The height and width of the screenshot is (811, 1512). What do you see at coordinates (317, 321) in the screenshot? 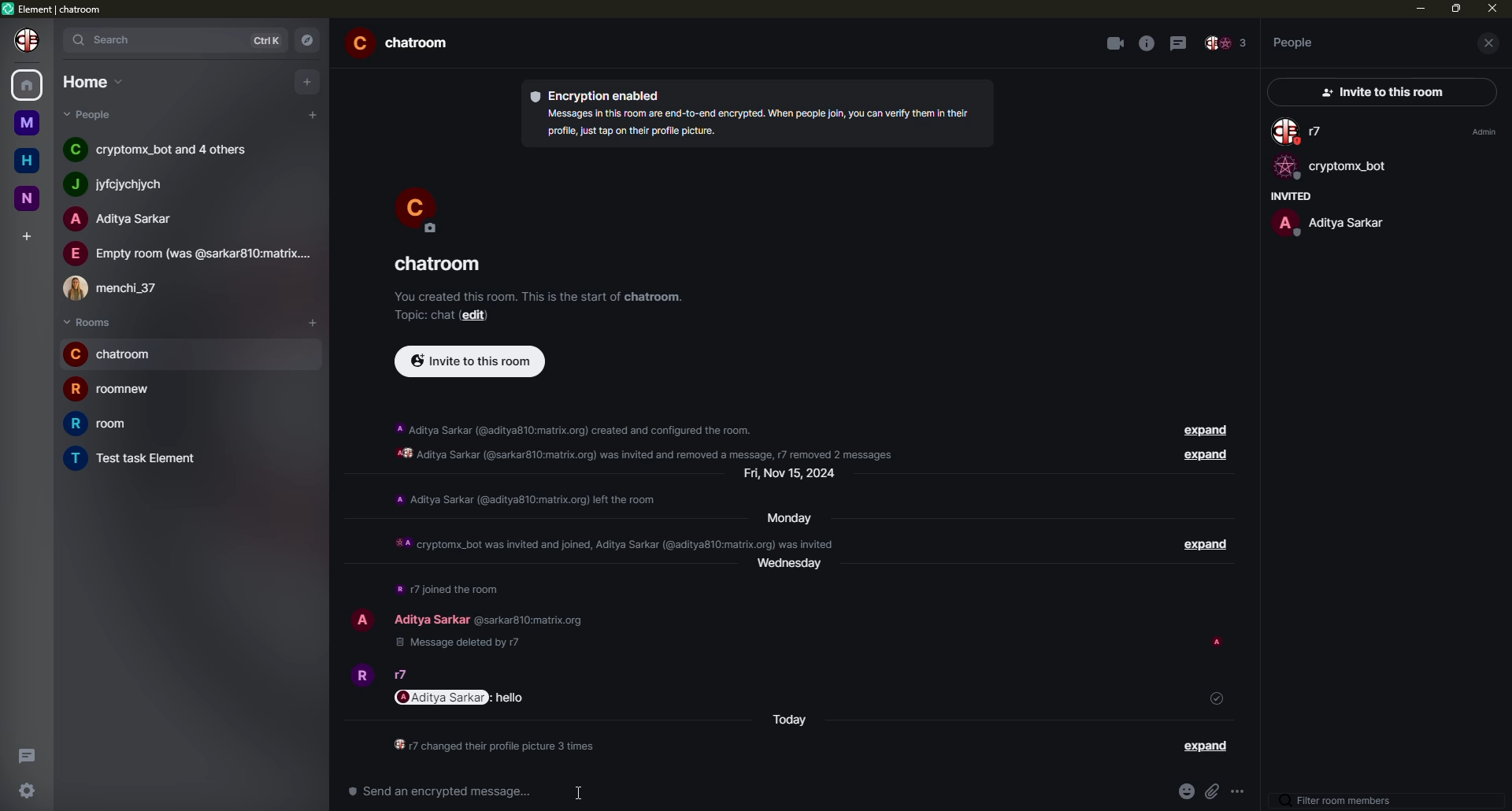
I see `add` at bounding box center [317, 321].